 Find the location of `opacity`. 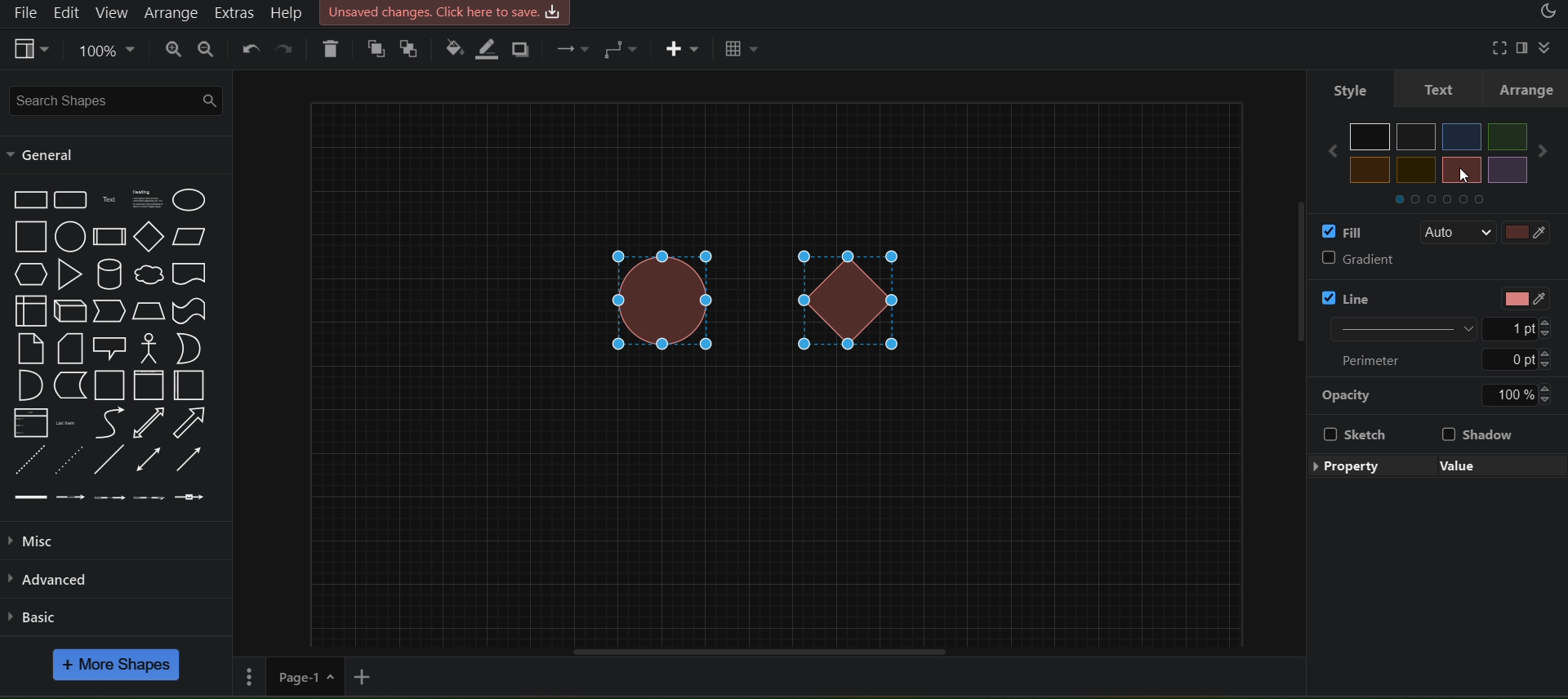

opacity is located at coordinates (1431, 398).